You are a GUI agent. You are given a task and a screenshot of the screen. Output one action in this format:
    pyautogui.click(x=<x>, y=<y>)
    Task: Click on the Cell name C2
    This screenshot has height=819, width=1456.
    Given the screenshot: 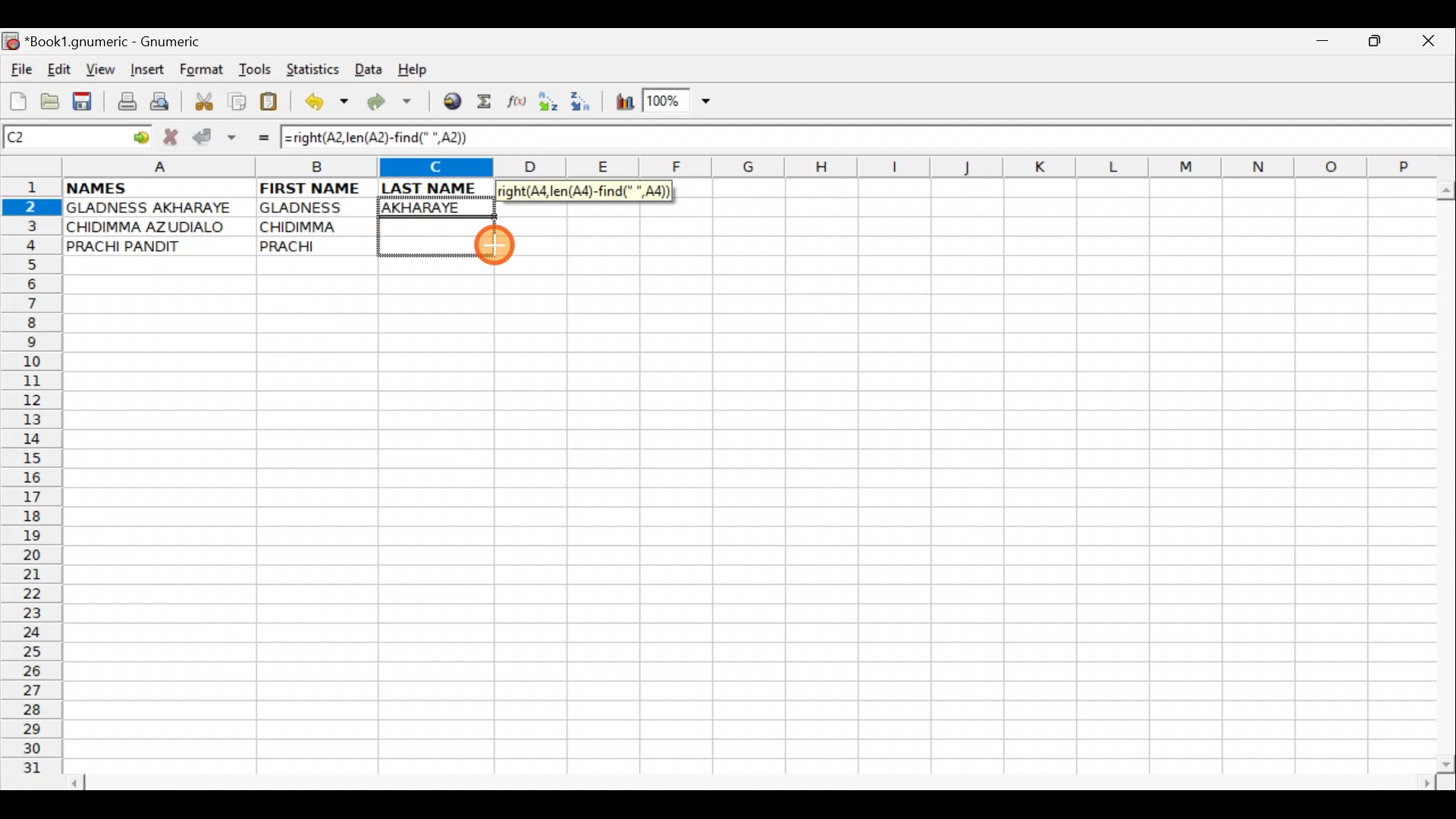 What is the action you would take?
    pyautogui.click(x=61, y=138)
    